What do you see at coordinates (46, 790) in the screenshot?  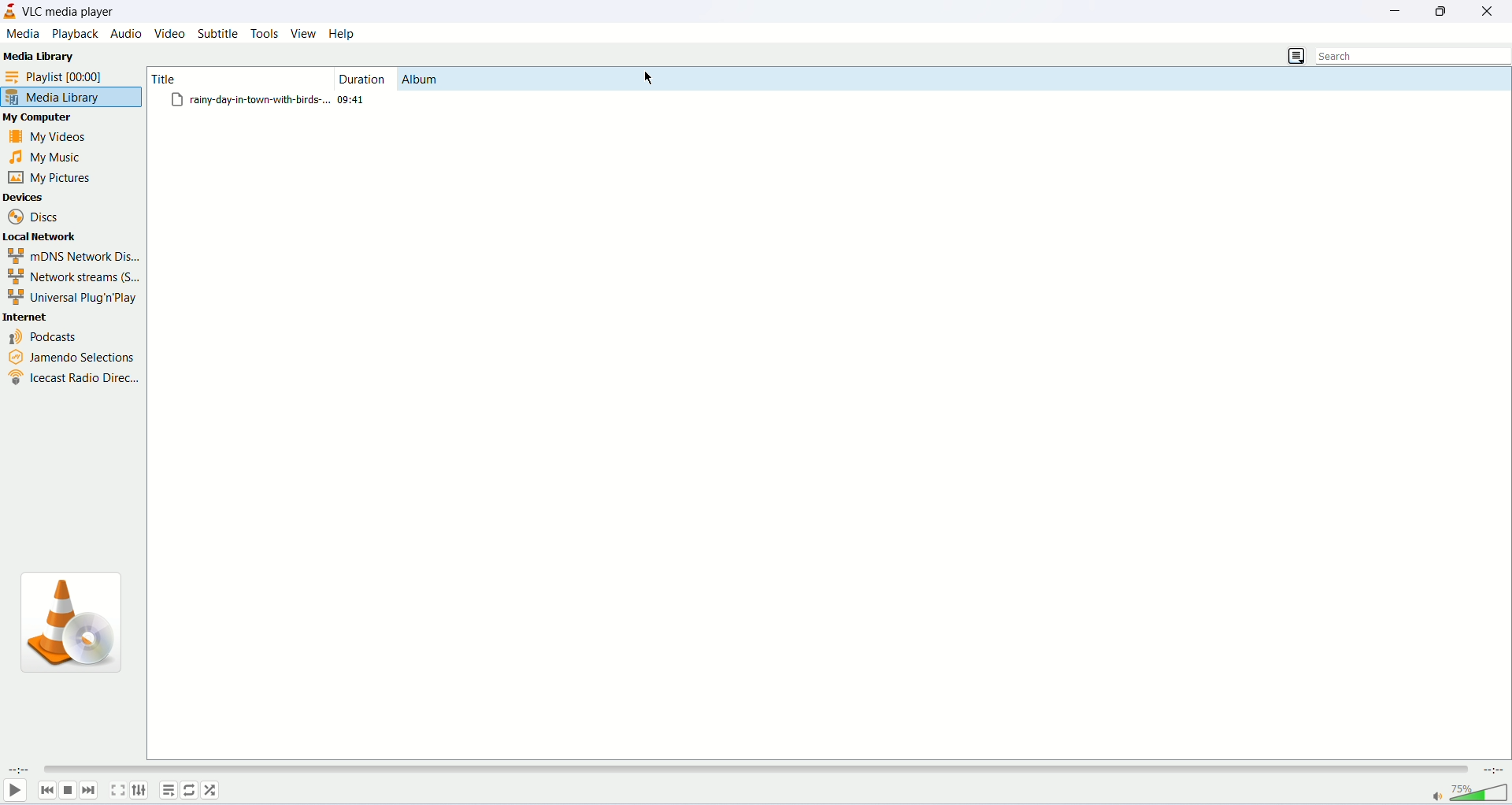 I see `previous` at bounding box center [46, 790].